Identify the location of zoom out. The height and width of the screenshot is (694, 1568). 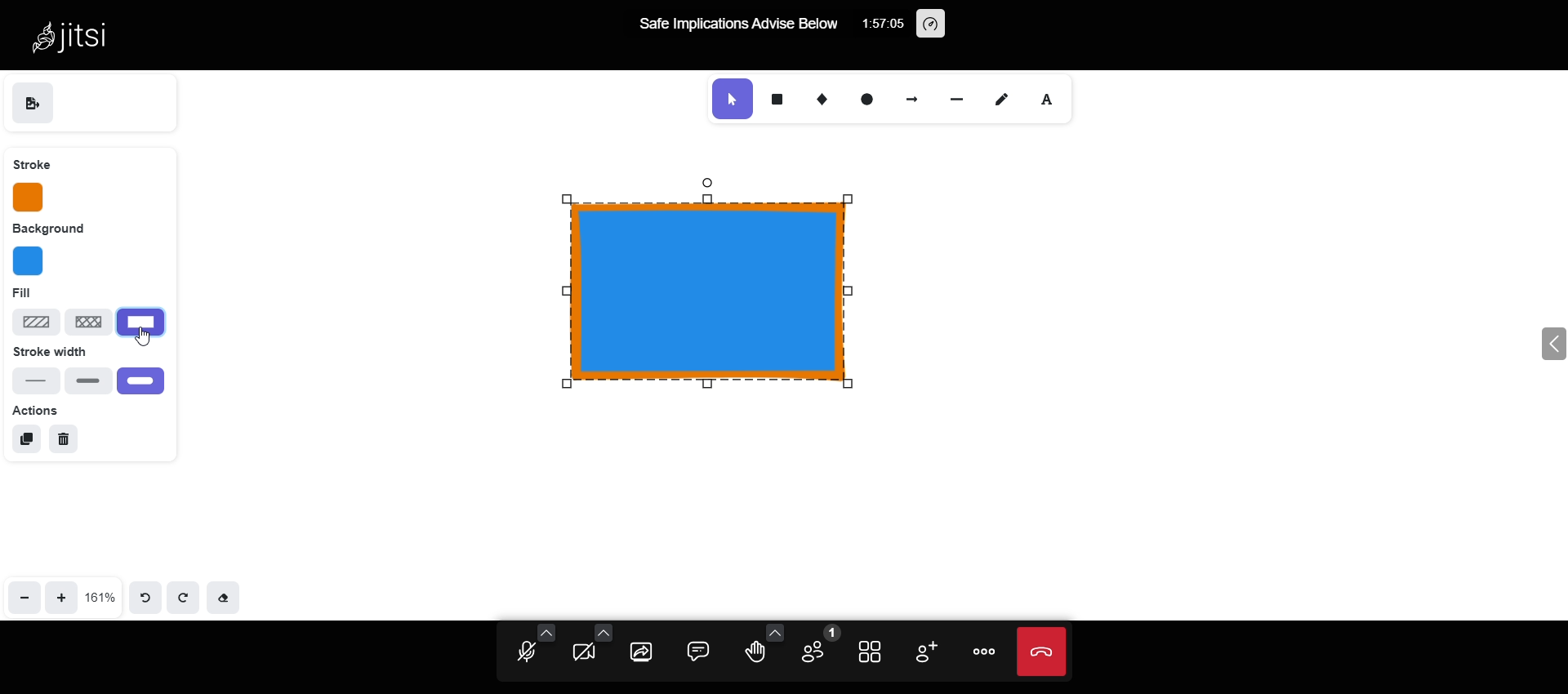
(20, 600).